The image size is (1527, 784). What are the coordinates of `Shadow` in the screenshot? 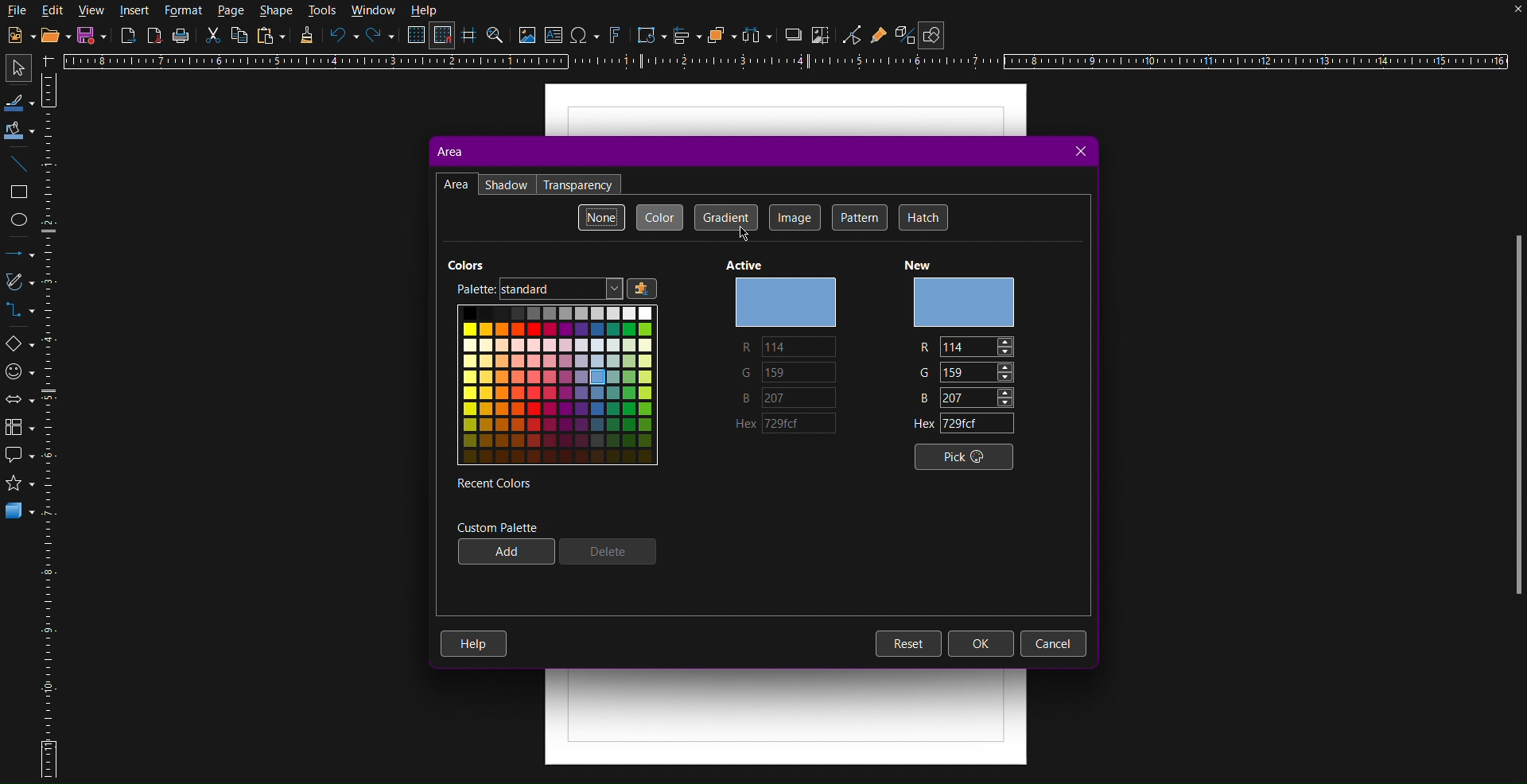 It's located at (507, 184).